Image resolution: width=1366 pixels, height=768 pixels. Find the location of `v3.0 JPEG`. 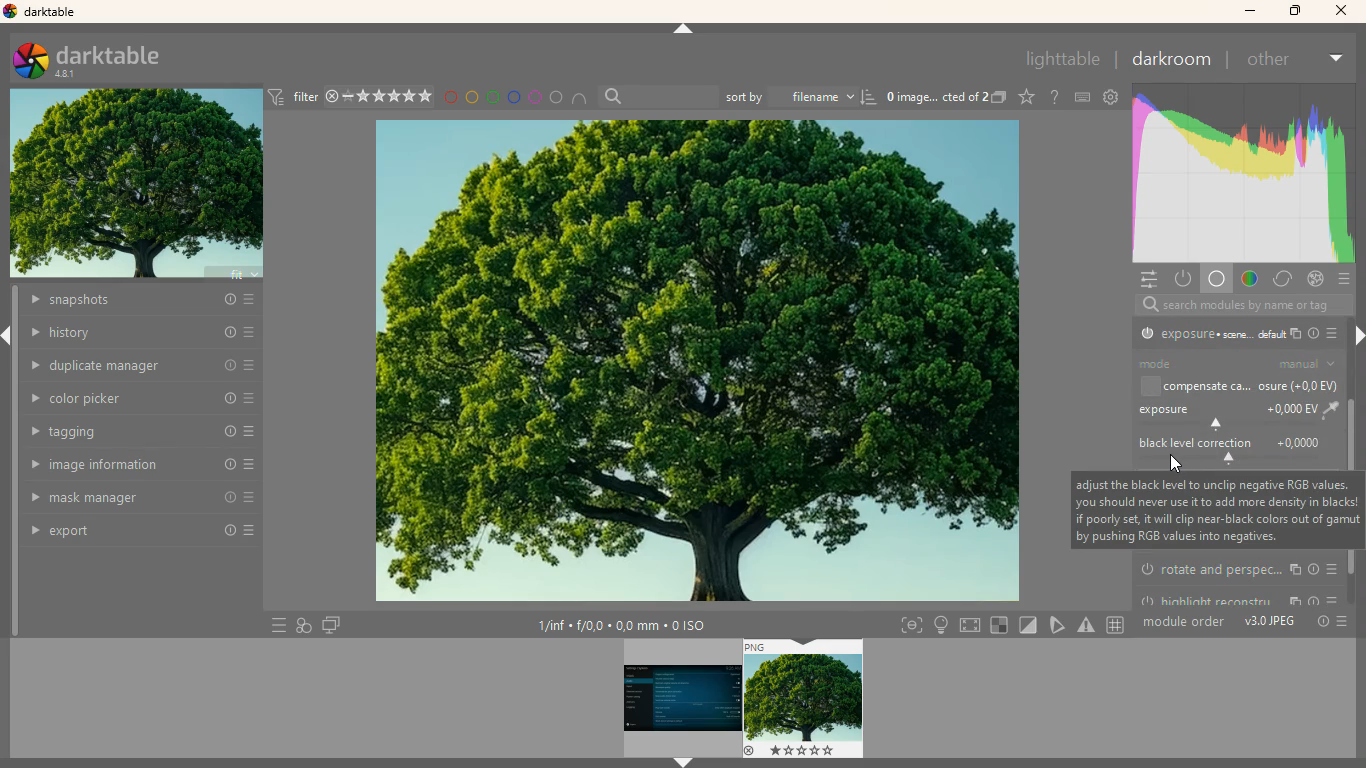

v3.0 JPEG is located at coordinates (1270, 624).